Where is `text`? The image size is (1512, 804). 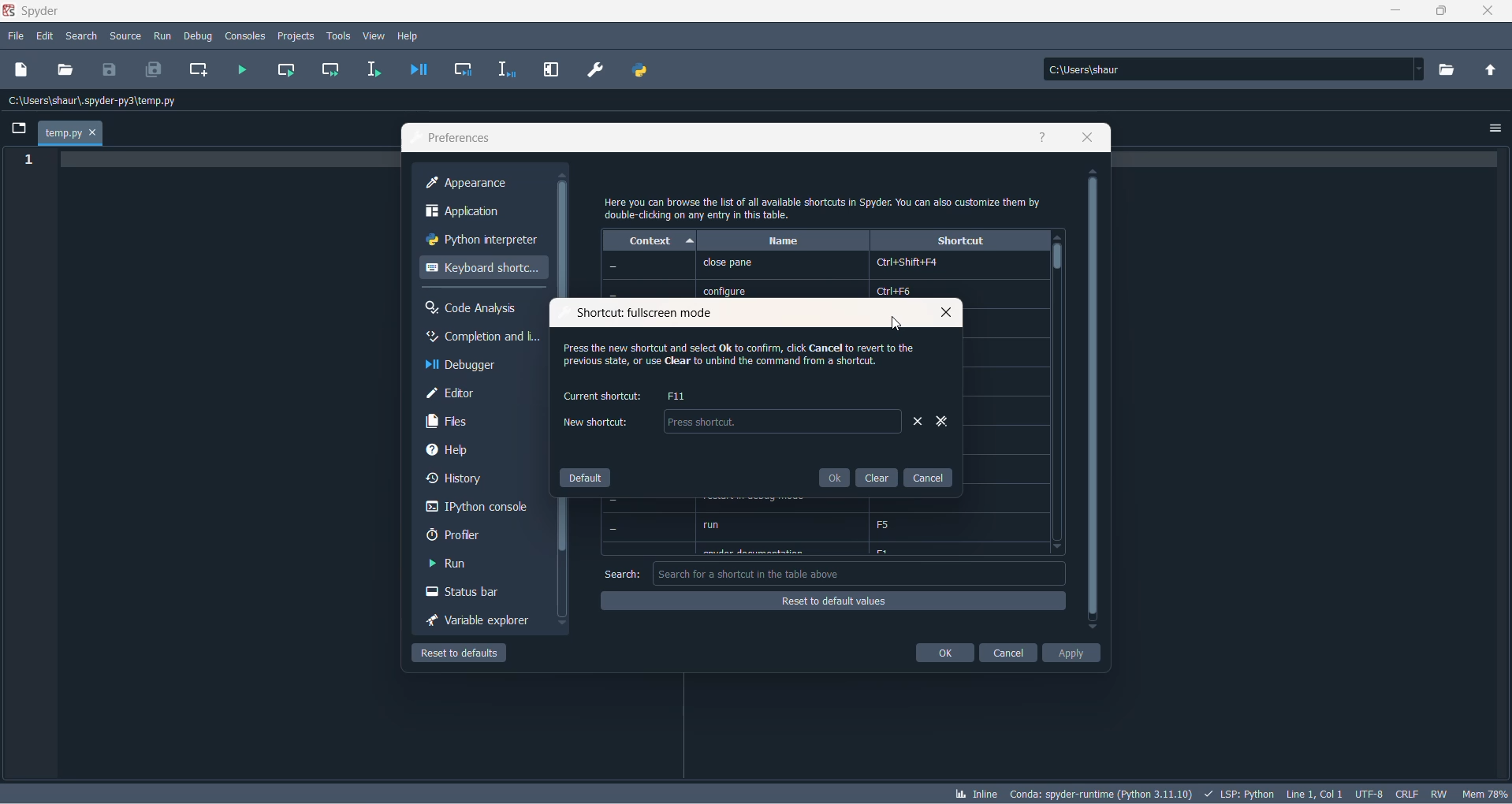
text is located at coordinates (826, 207).